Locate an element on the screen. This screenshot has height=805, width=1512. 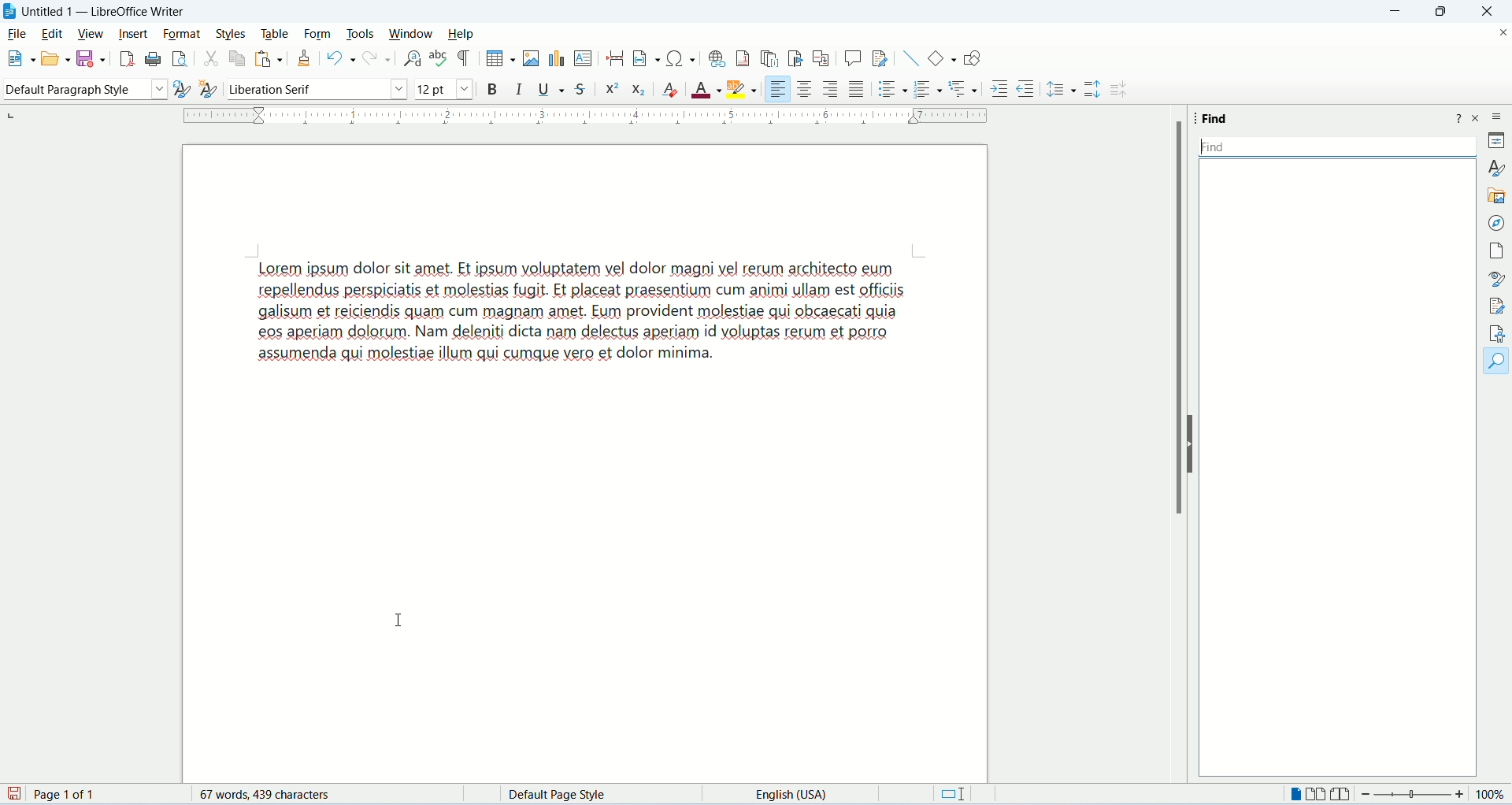
font size is located at coordinates (442, 89).